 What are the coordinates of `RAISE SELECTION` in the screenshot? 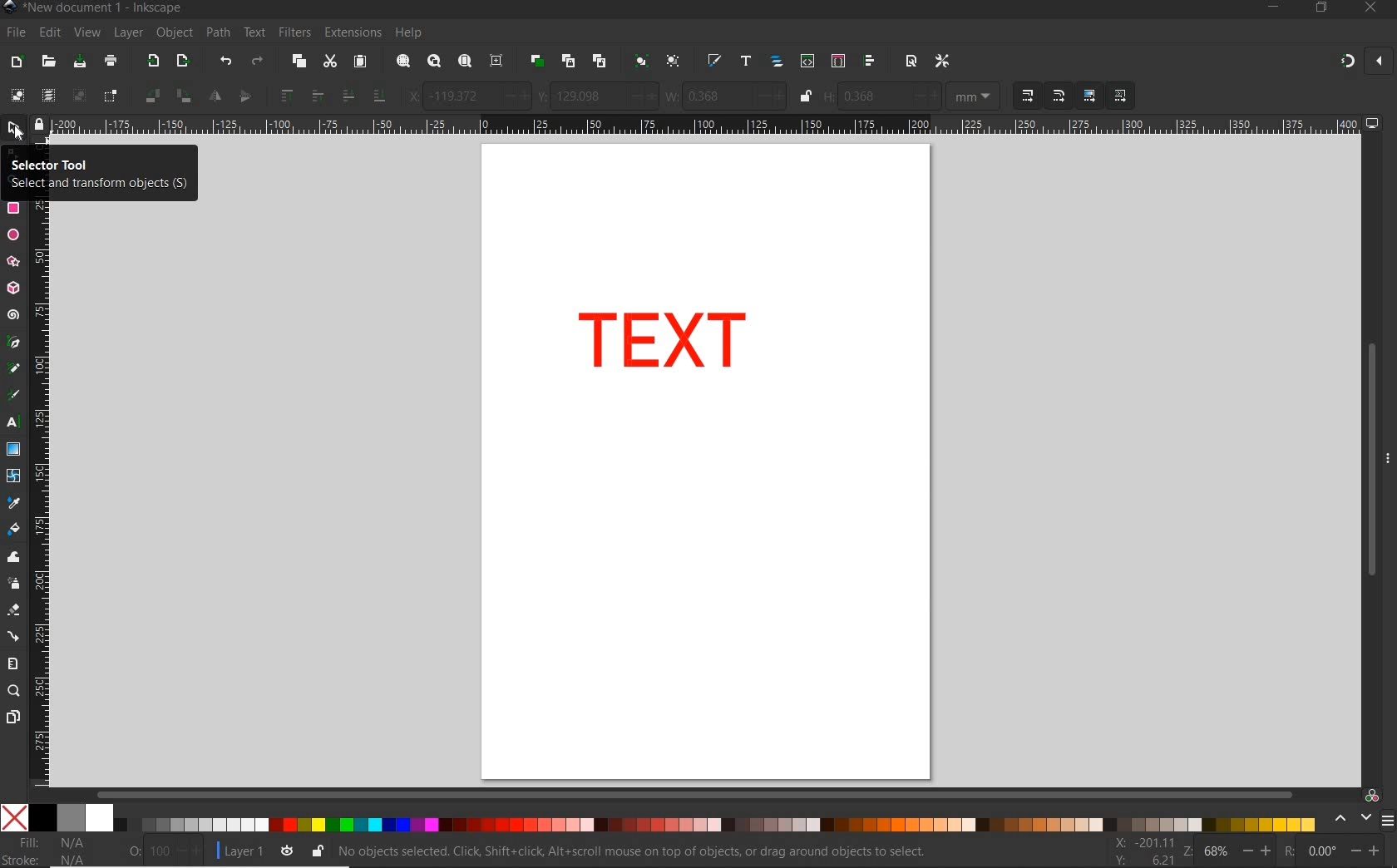 It's located at (297, 95).